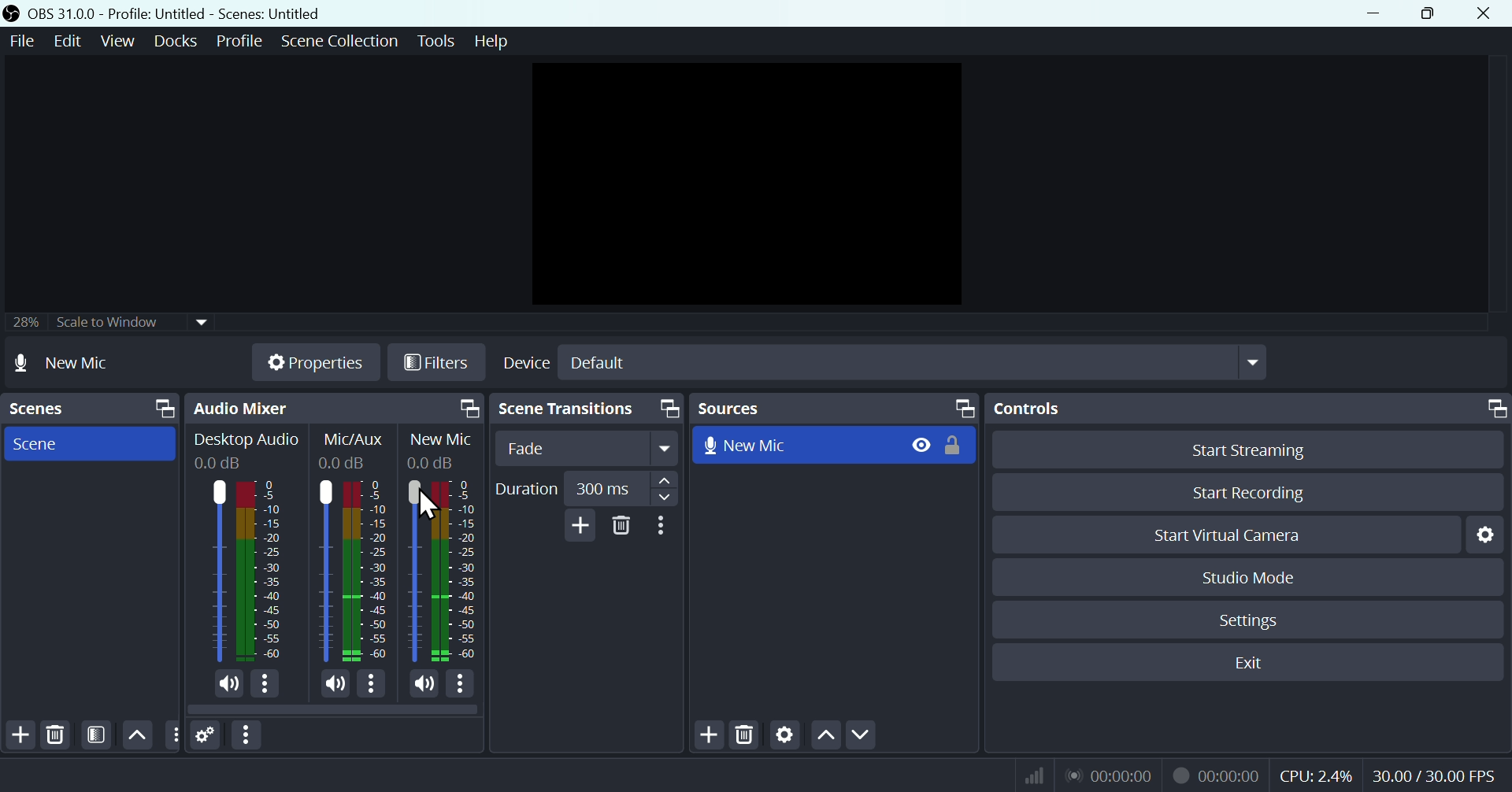 This screenshot has width=1512, height=792. Describe the element at coordinates (324, 570) in the screenshot. I see `Mic/Aux` at that location.